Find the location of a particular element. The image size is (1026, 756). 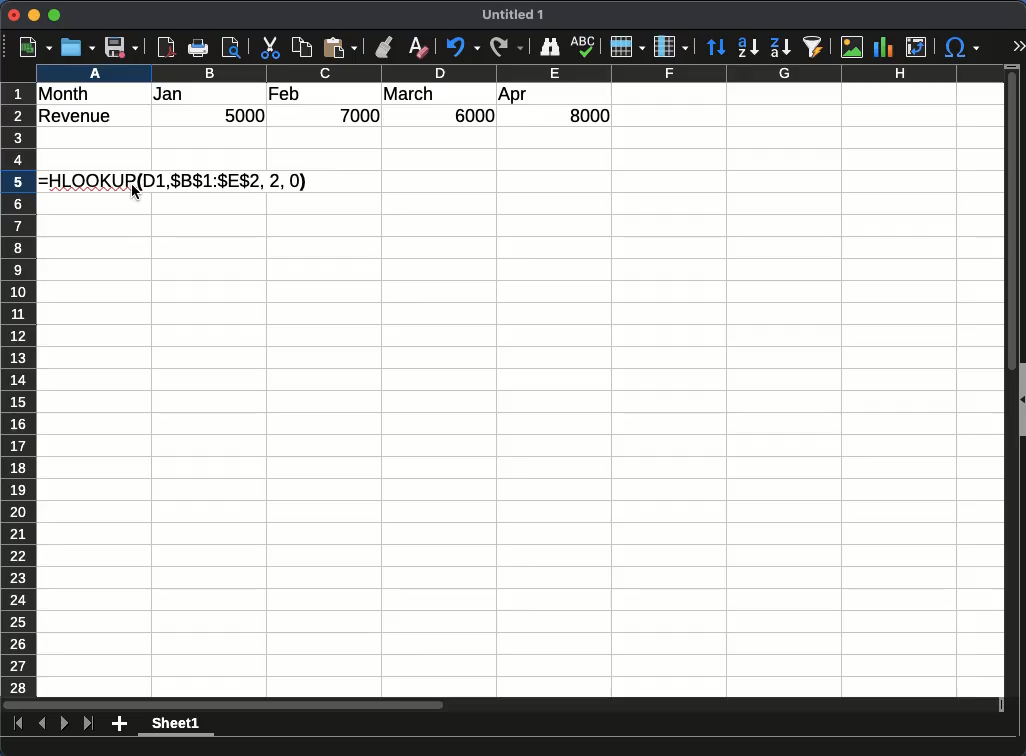

clear formatting  is located at coordinates (419, 47).